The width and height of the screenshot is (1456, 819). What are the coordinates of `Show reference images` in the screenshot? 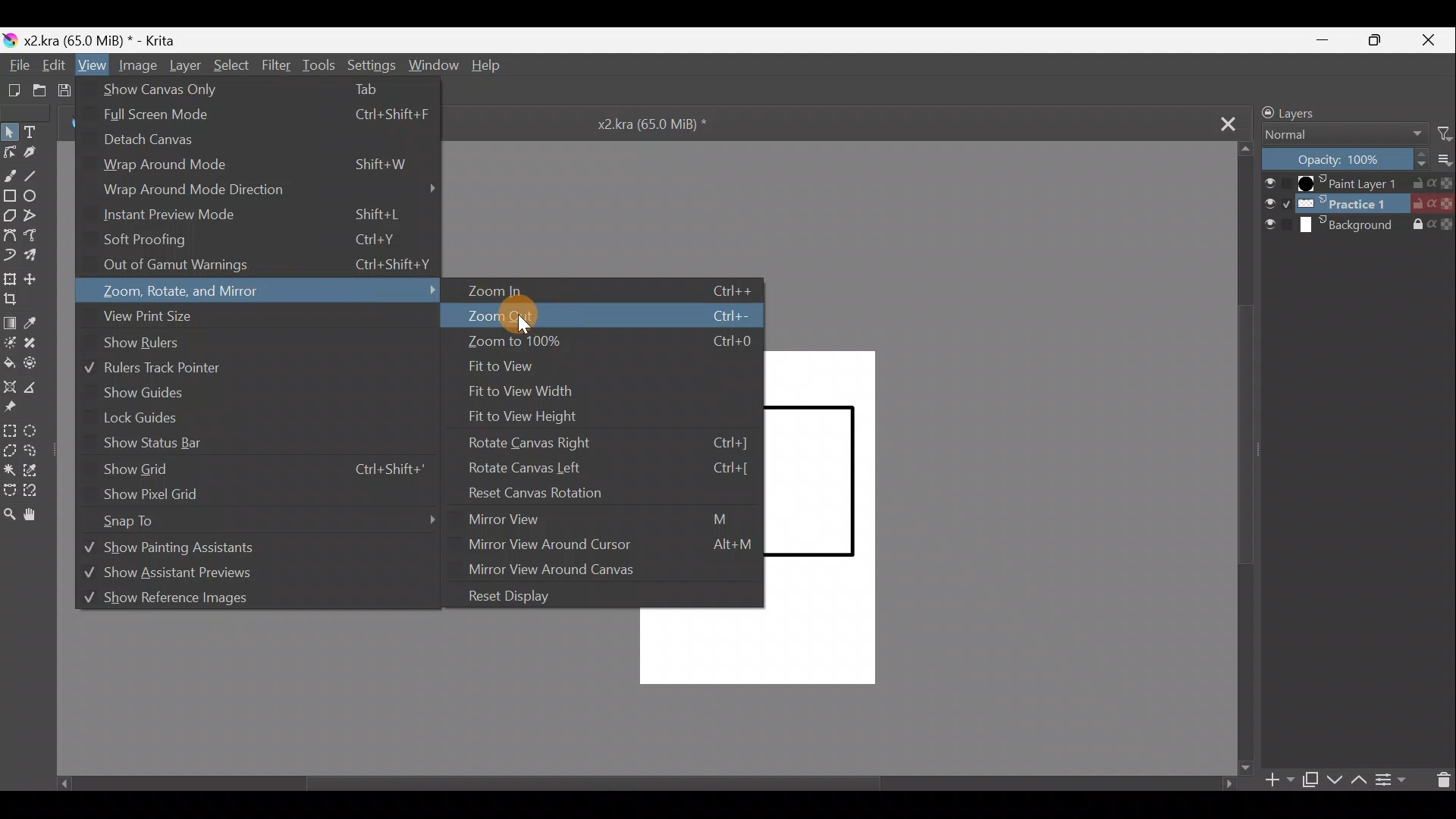 It's located at (217, 603).